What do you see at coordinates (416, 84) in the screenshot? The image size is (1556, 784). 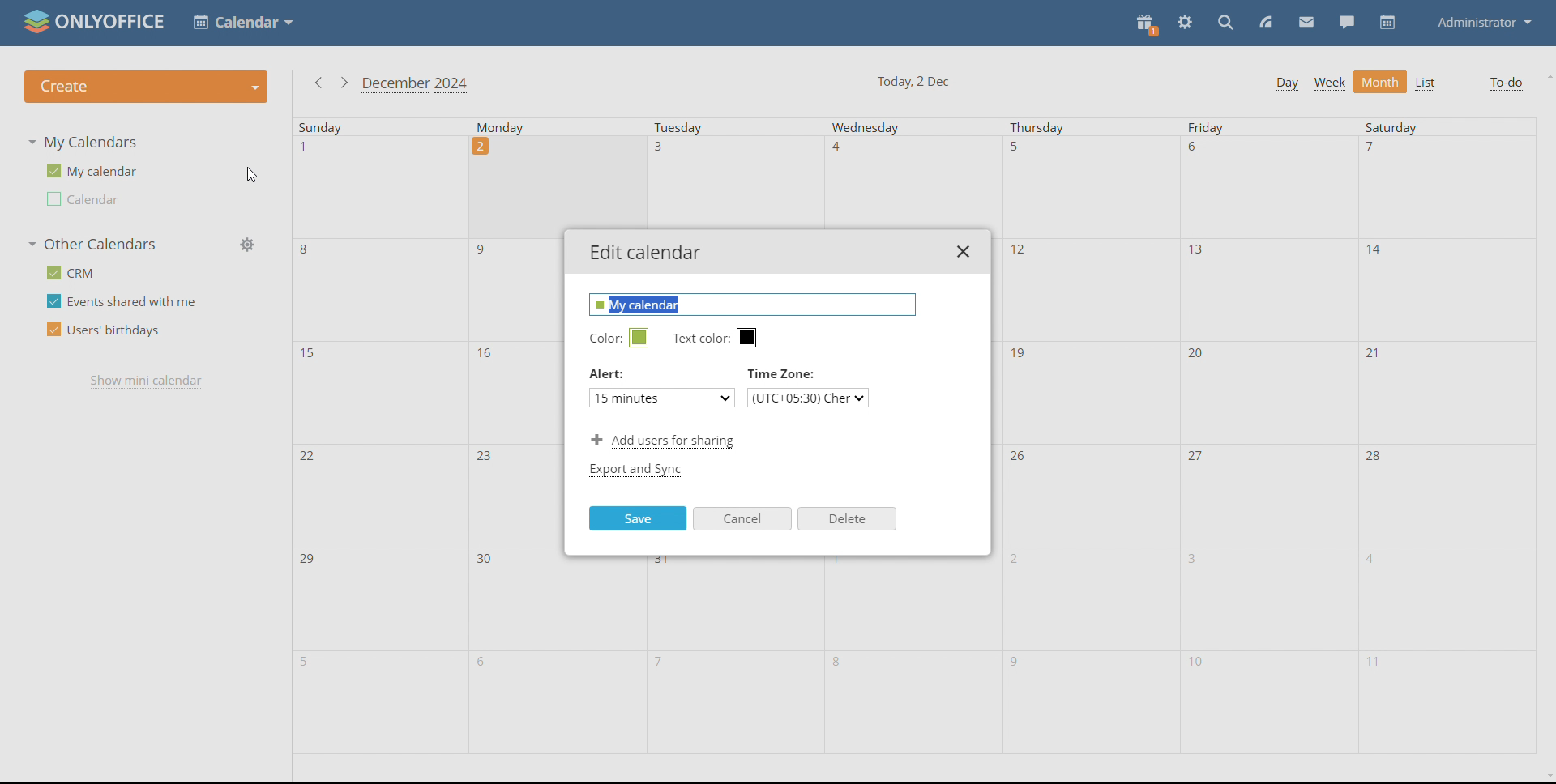 I see `current month` at bounding box center [416, 84].